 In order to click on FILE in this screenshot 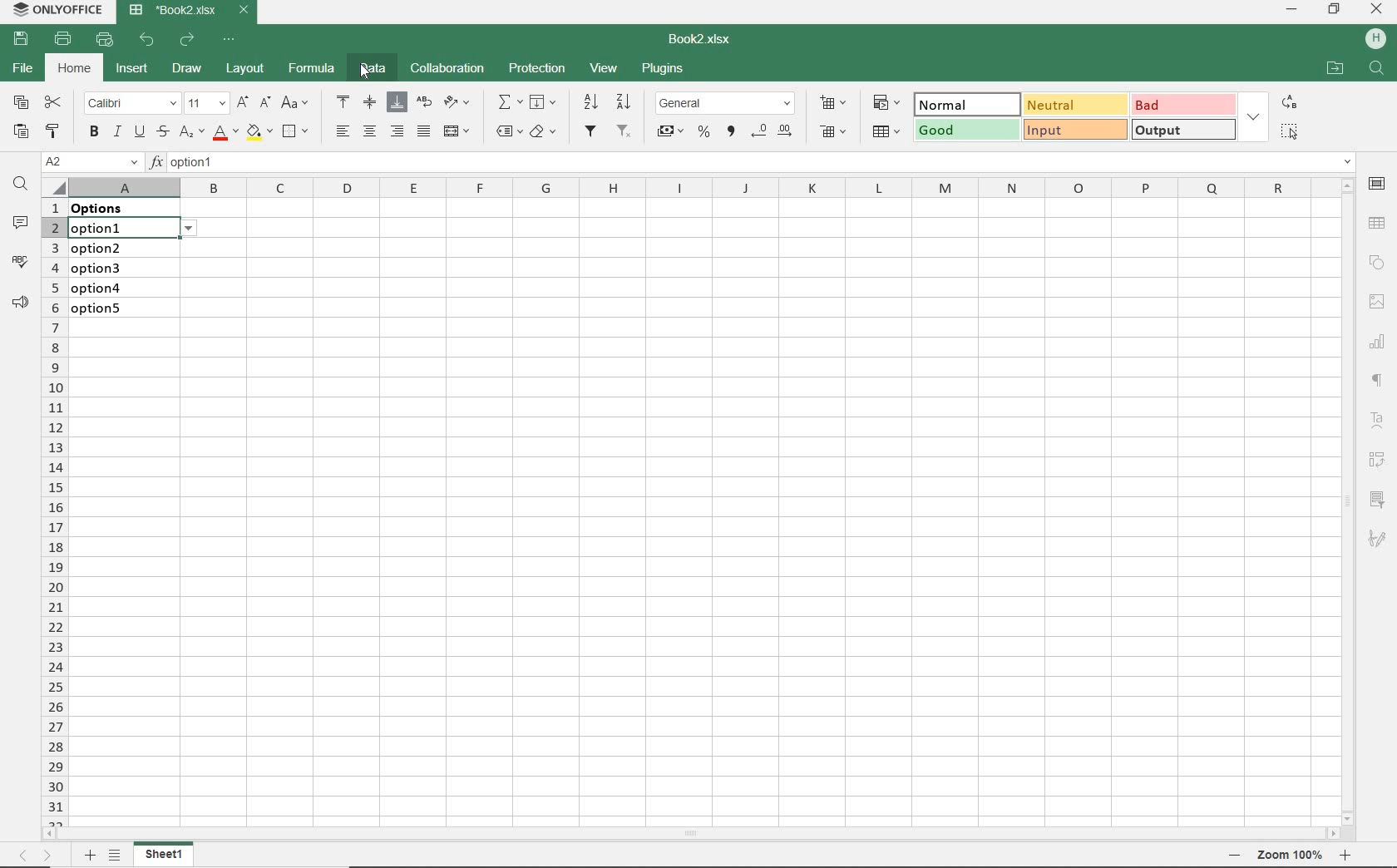, I will do `click(22, 71)`.